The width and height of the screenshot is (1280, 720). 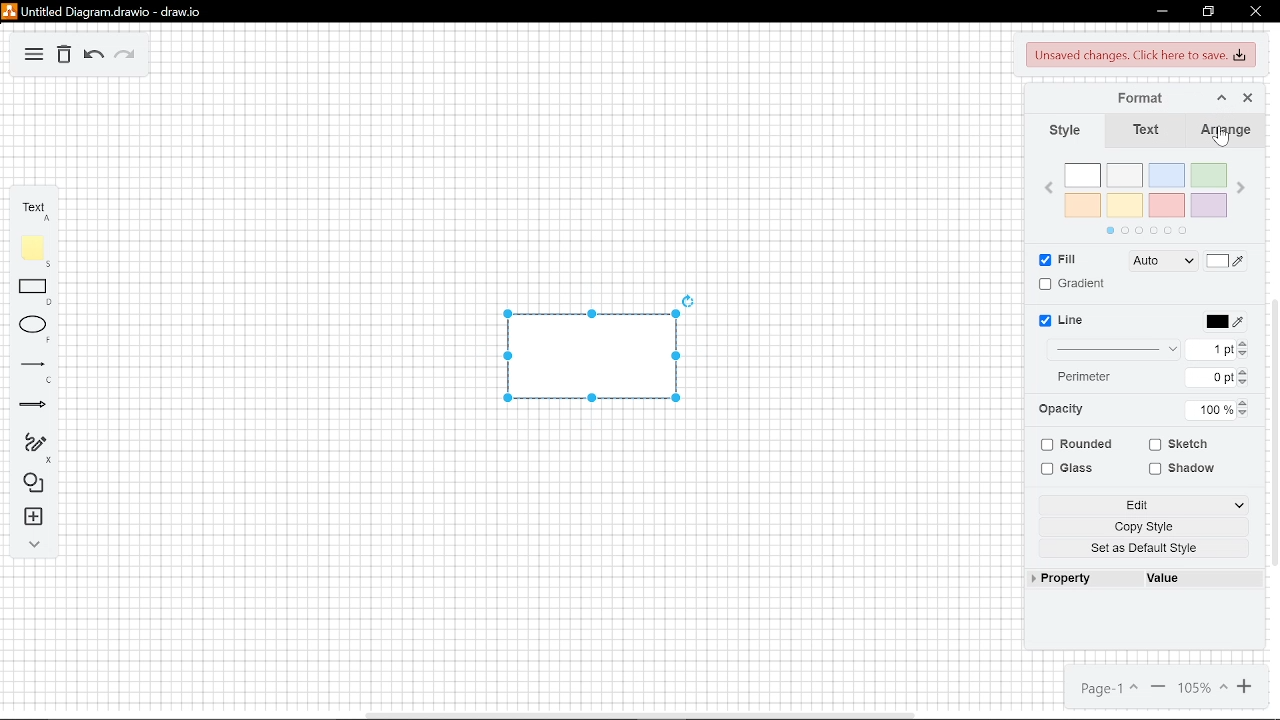 I want to click on decrease perimeter, so click(x=1245, y=384).